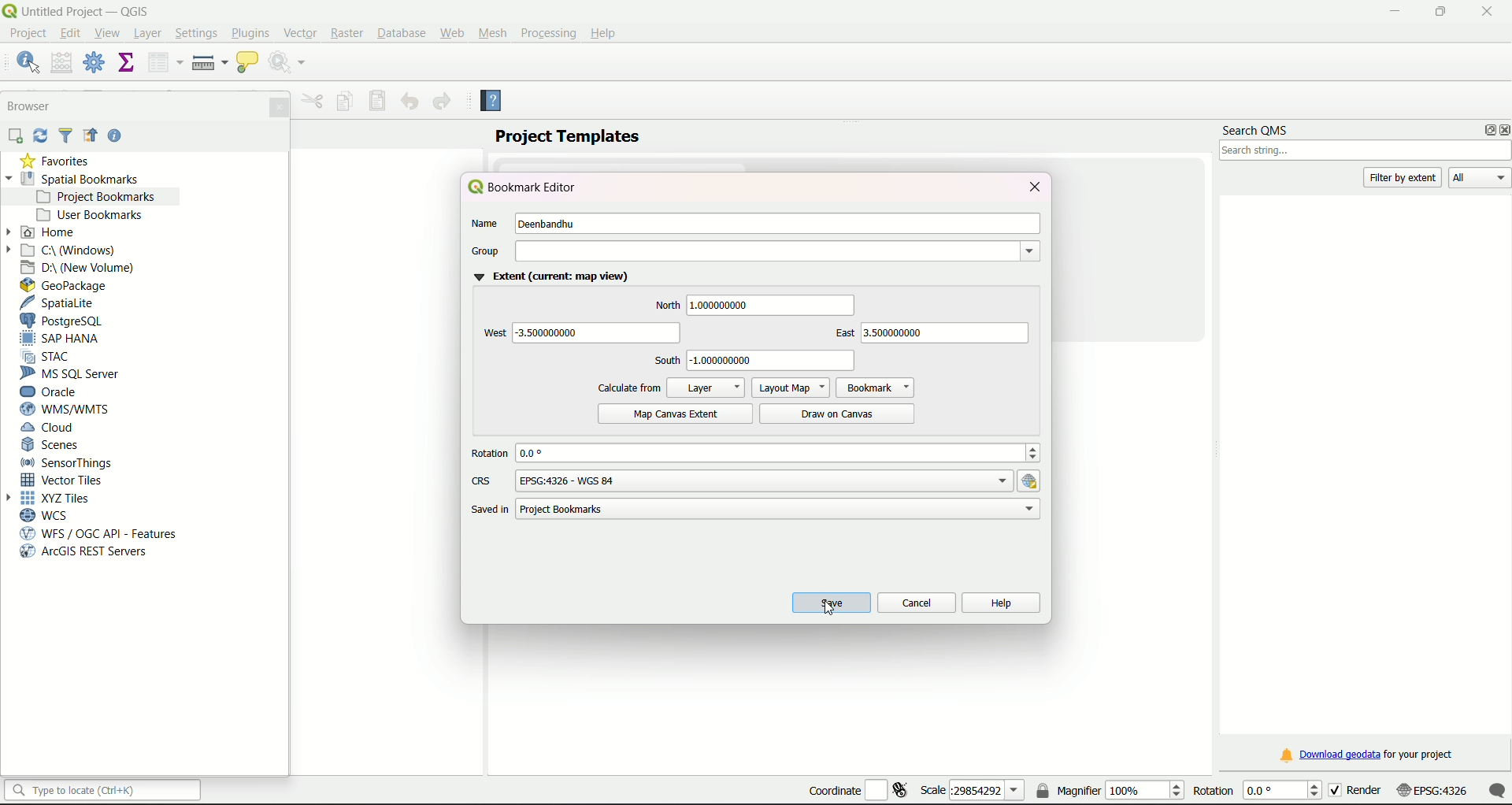 The height and width of the screenshot is (805, 1512). What do you see at coordinates (94, 62) in the screenshot?
I see `toolbox` at bounding box center [94, 62].